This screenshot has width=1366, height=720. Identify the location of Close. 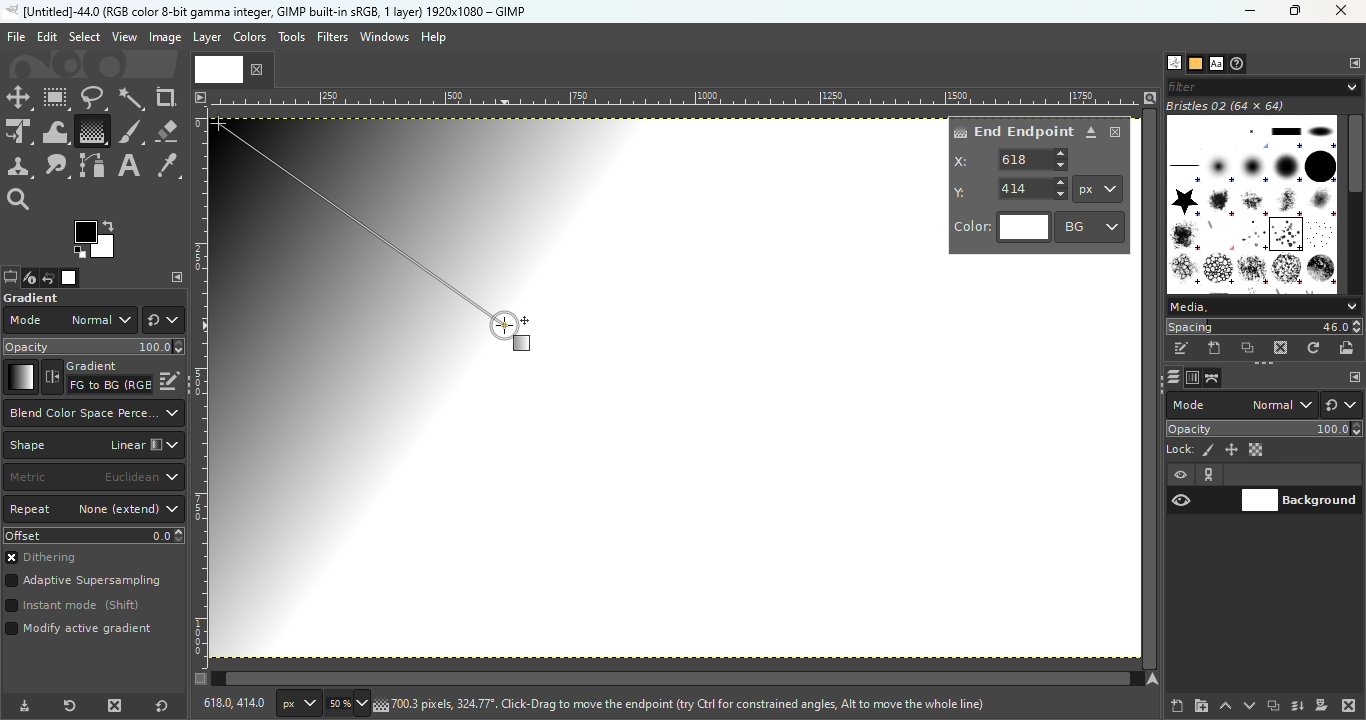
(1343, 12).